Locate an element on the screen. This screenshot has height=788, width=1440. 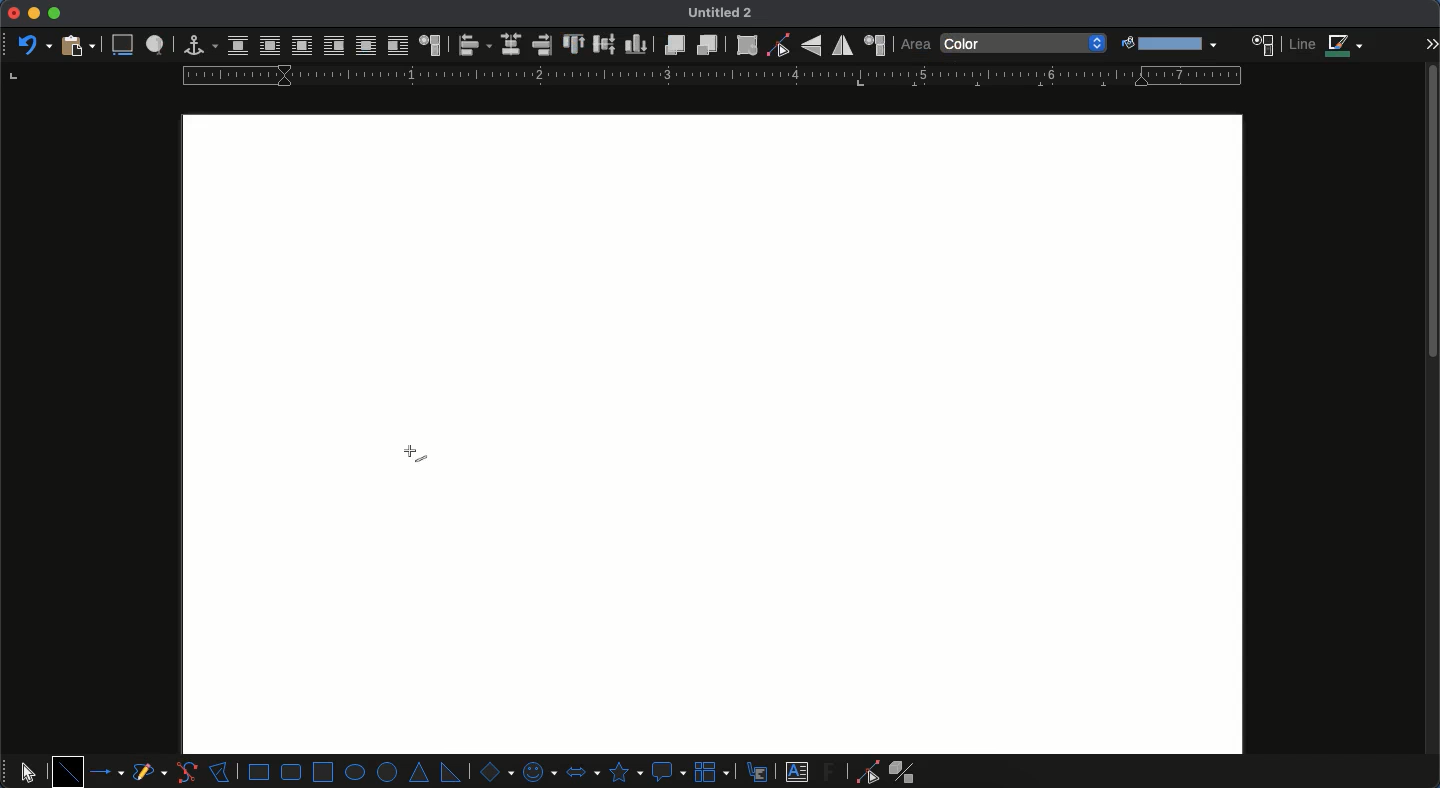
back one is located at coordinates (705, 44).